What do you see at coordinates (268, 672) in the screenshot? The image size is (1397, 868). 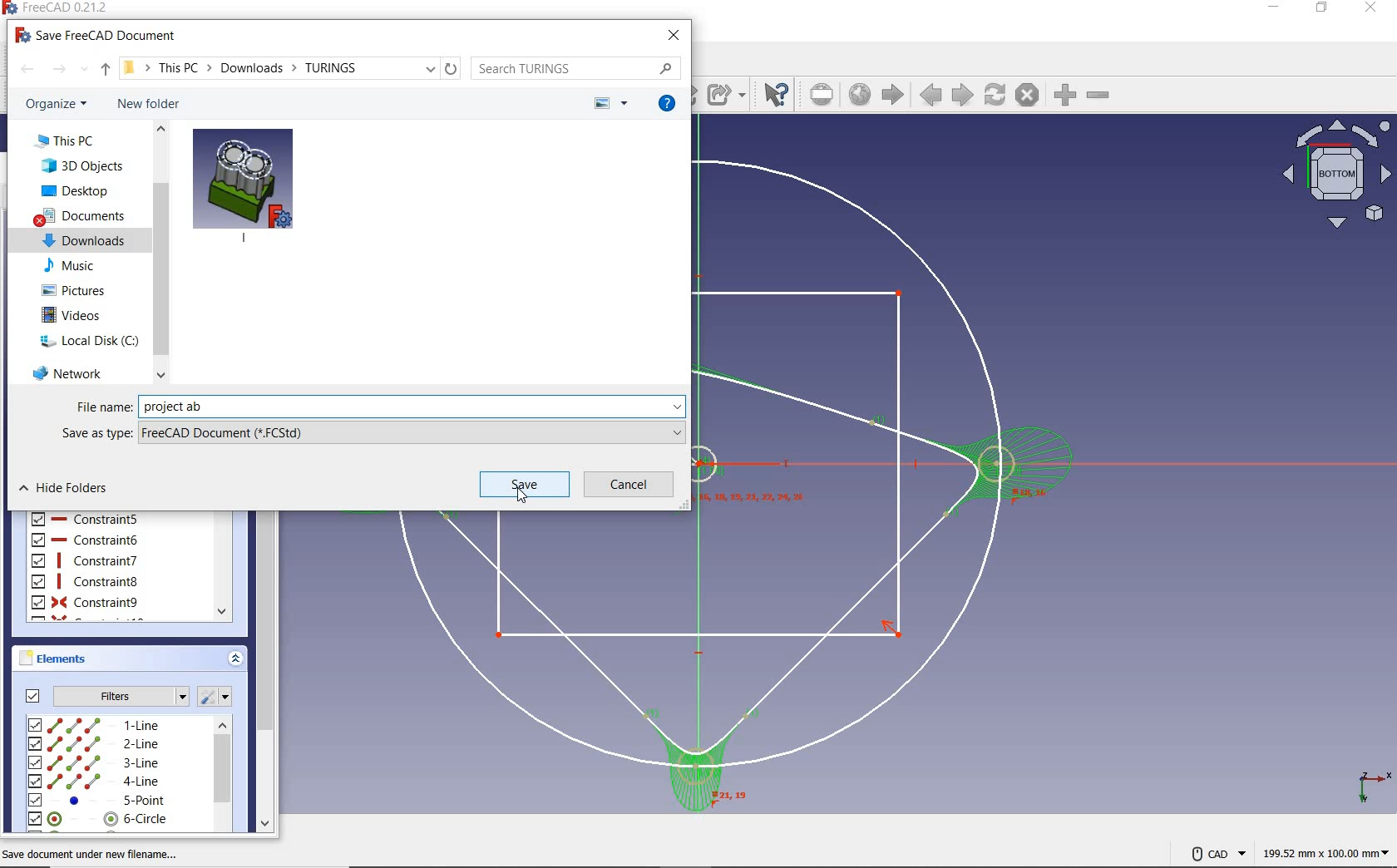 I see `scroll bar` at bounding box center [268, 672].